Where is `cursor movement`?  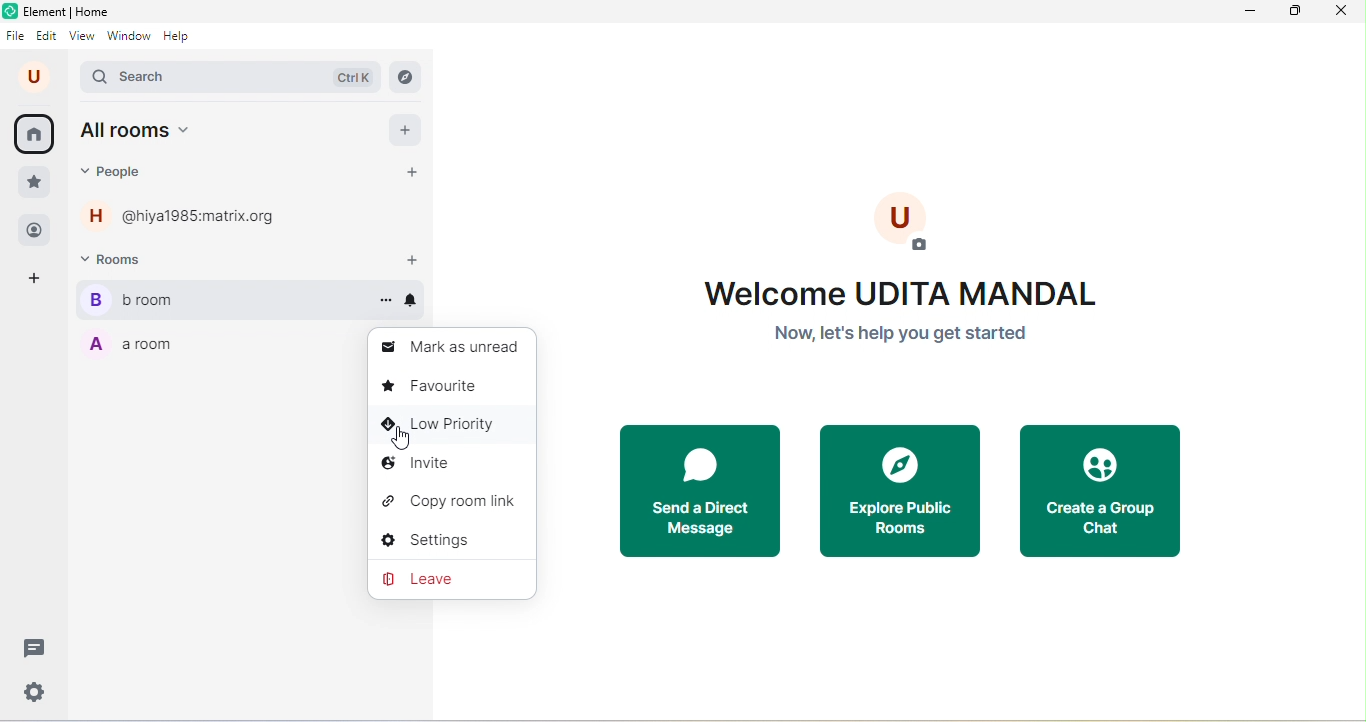 cursor movement is located at coordinates (402, 434).